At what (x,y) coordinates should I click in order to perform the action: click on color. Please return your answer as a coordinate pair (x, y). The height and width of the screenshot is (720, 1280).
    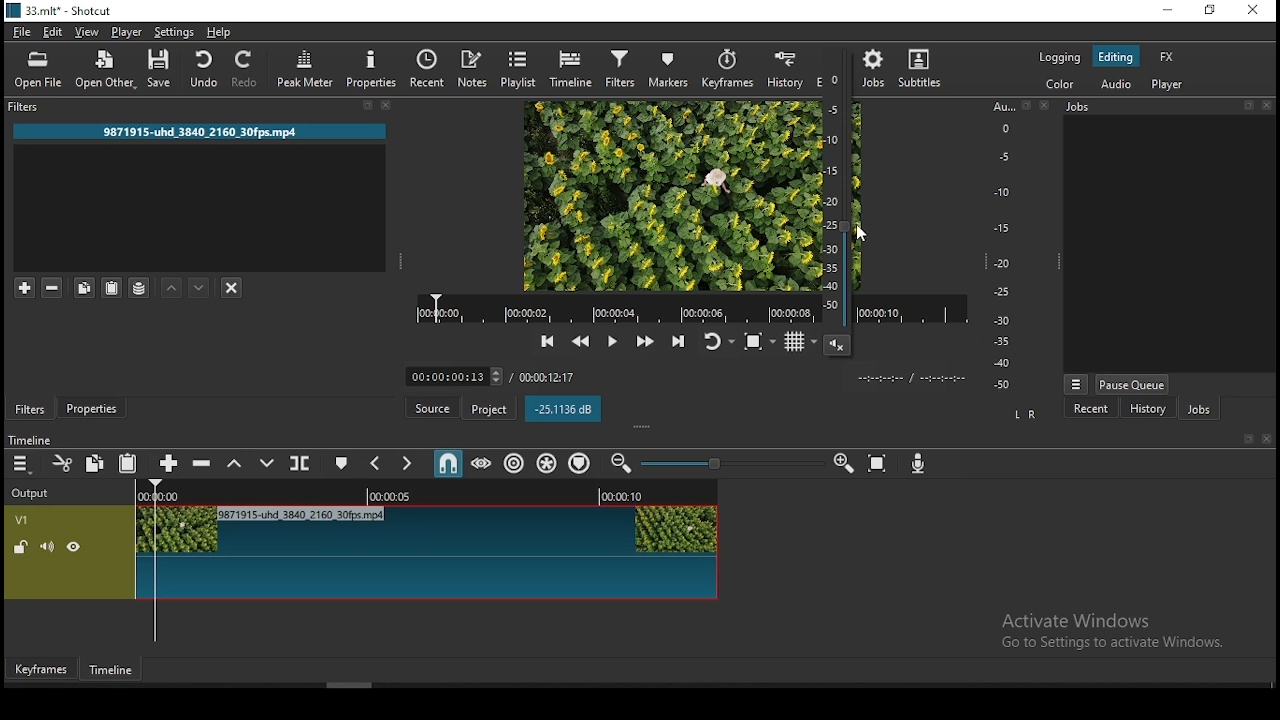
    Looking at the image, I should click on (1051, 86).